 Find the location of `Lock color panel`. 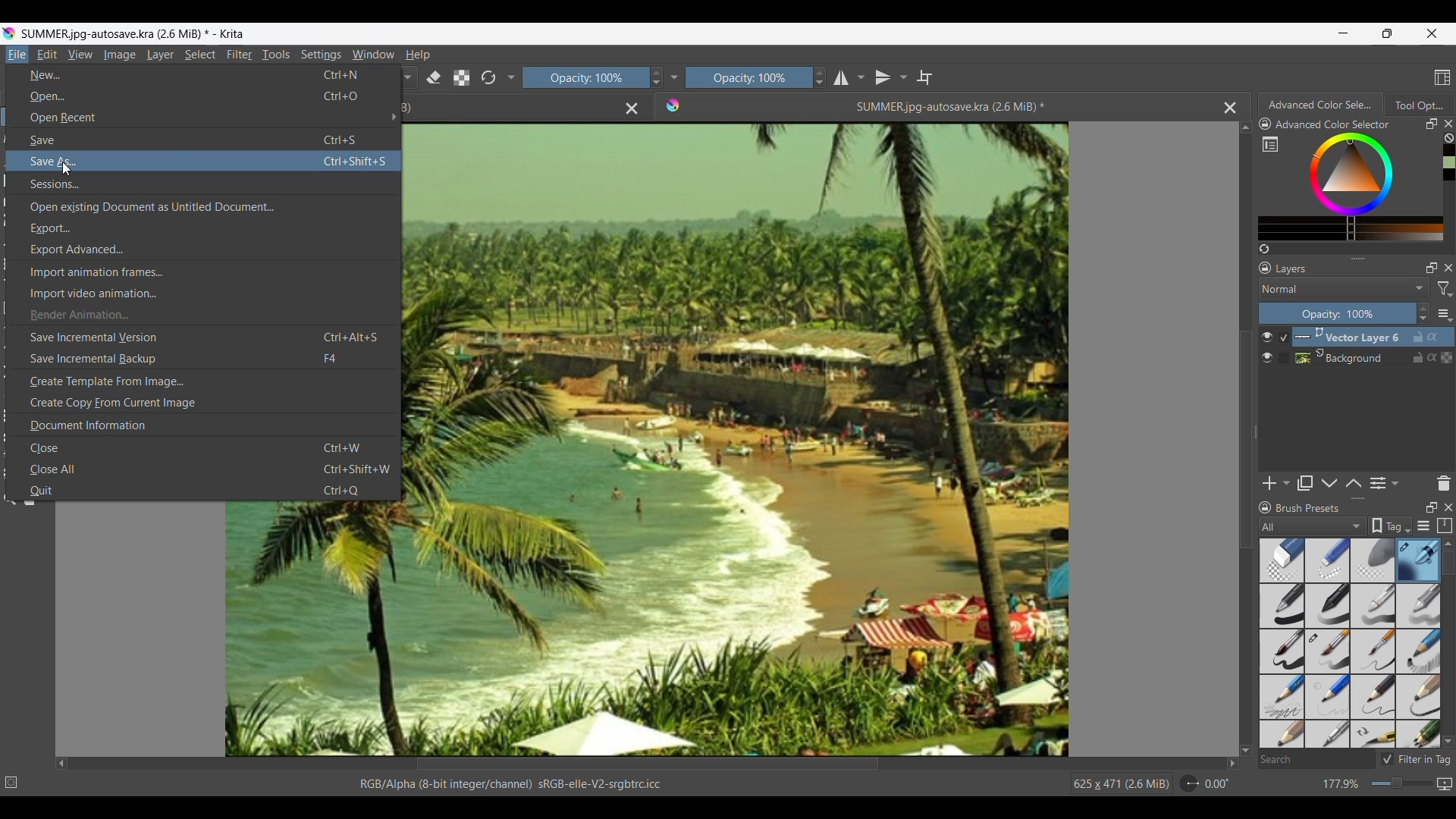

Lock color panel is located at coordinates (1265, 124).